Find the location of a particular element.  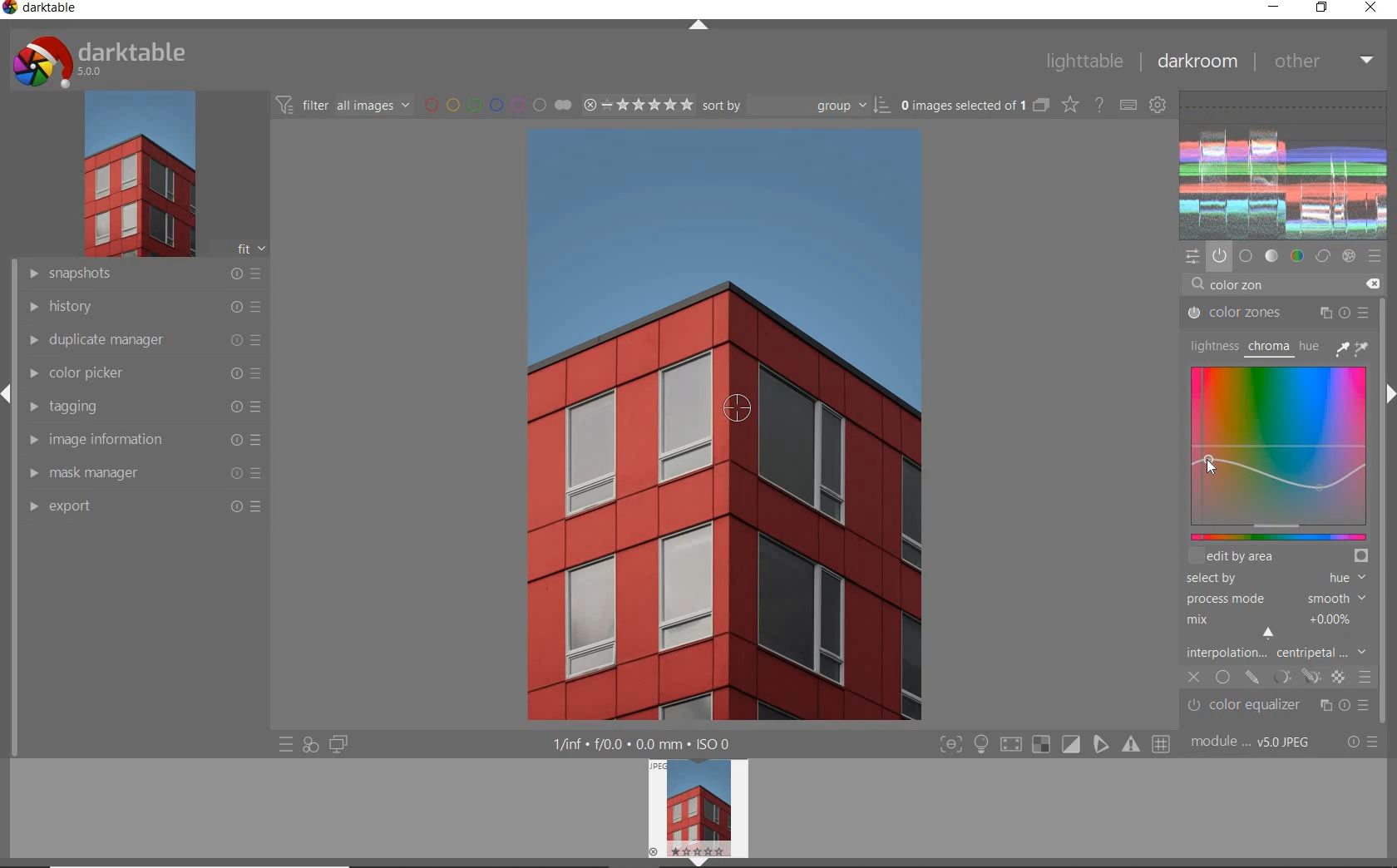

effect is located at coordinates (1350, 256).